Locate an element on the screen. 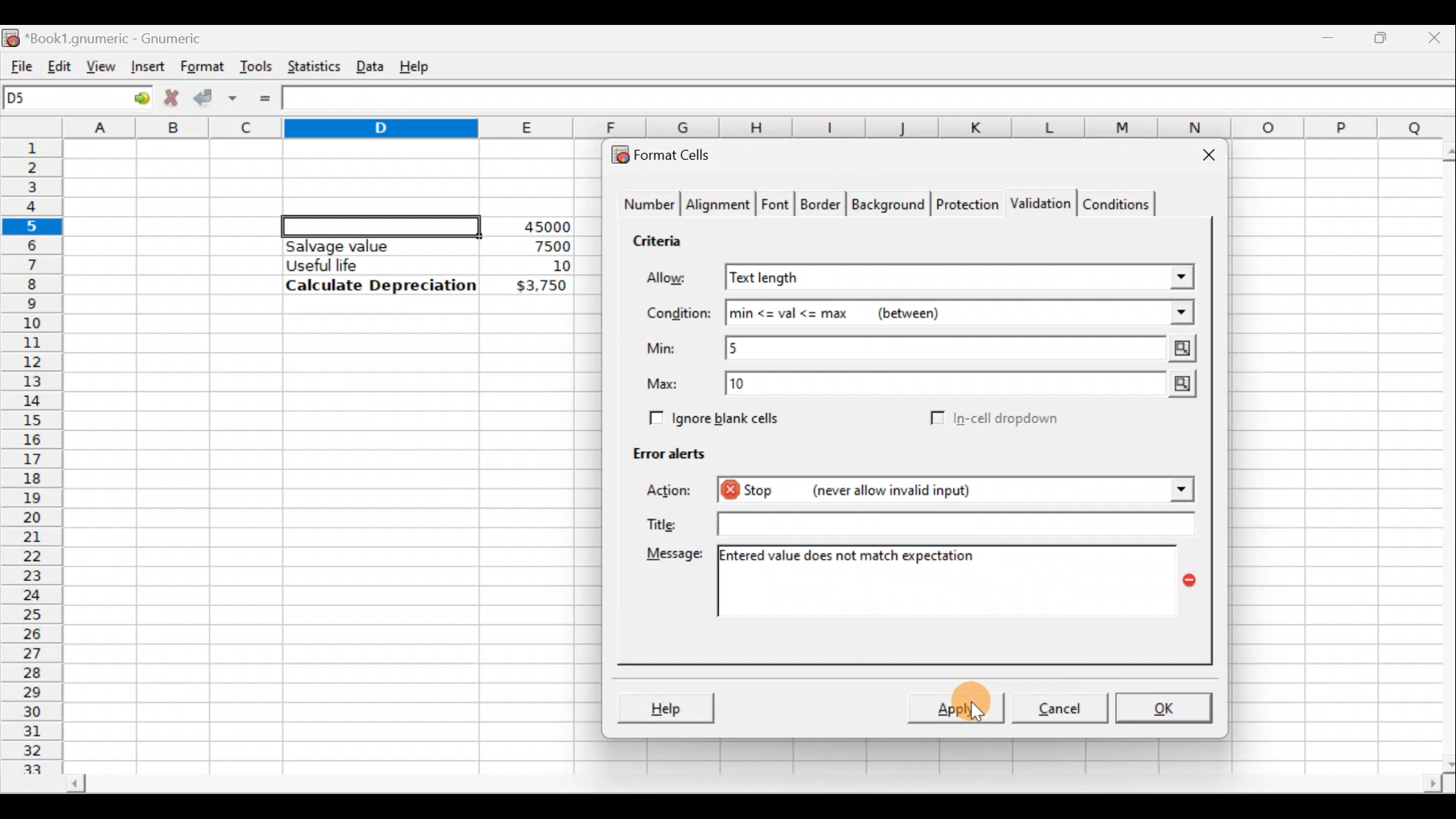  In-cell dropdown is located at coordinates (1009, 419).